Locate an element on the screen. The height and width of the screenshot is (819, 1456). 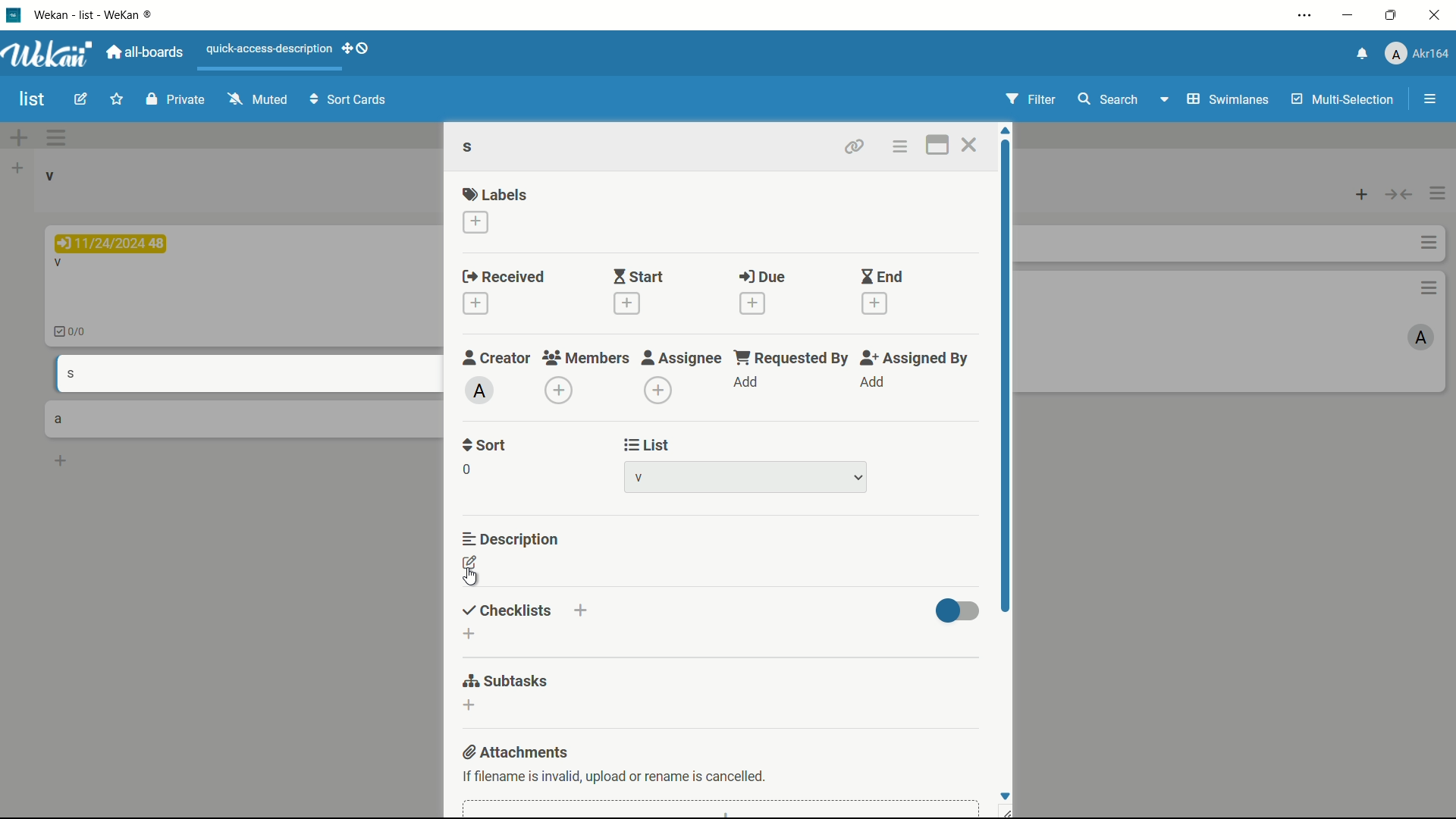
add label is located at coordinates (475, 222).